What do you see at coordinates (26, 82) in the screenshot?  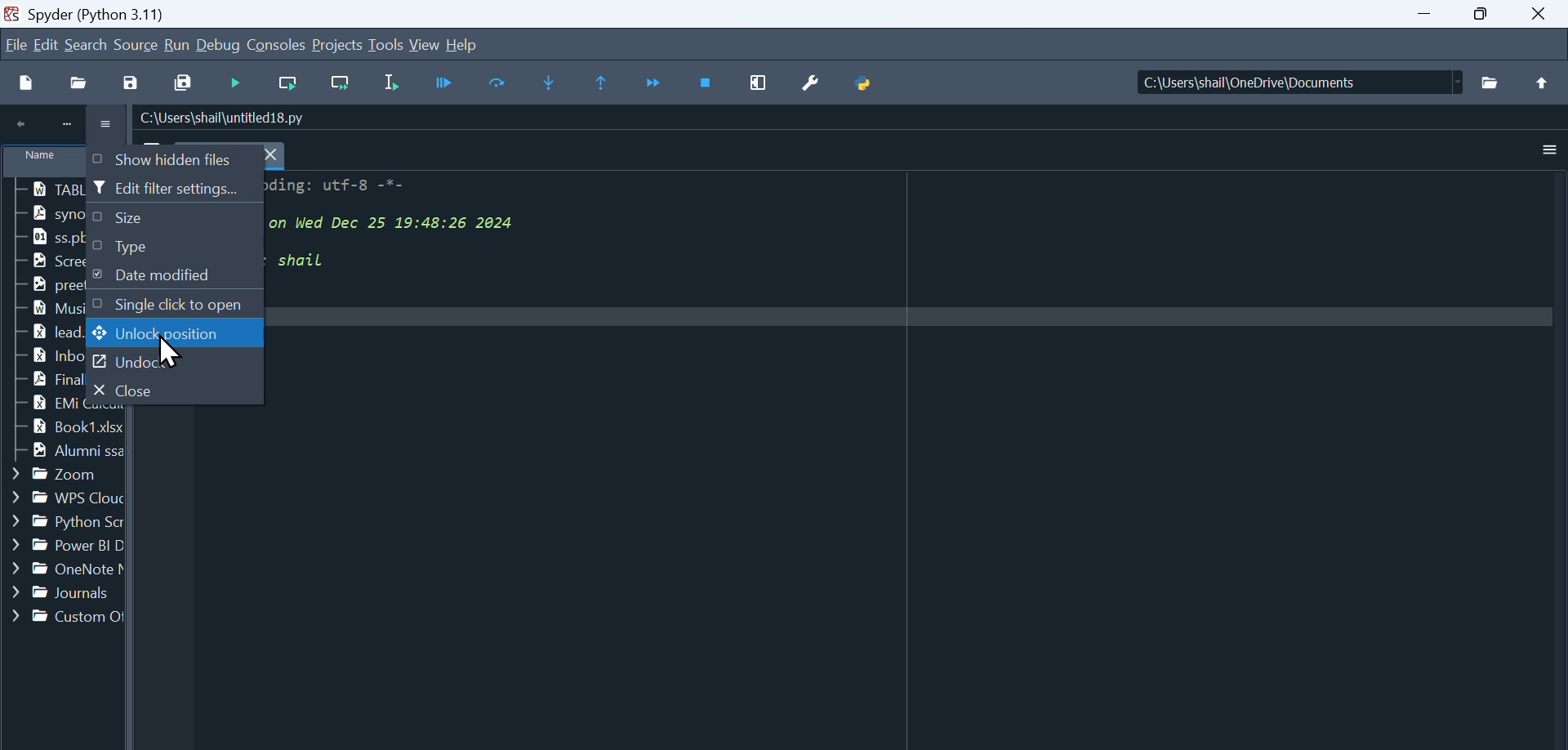 I see `New` at bounding box center [26, 82].